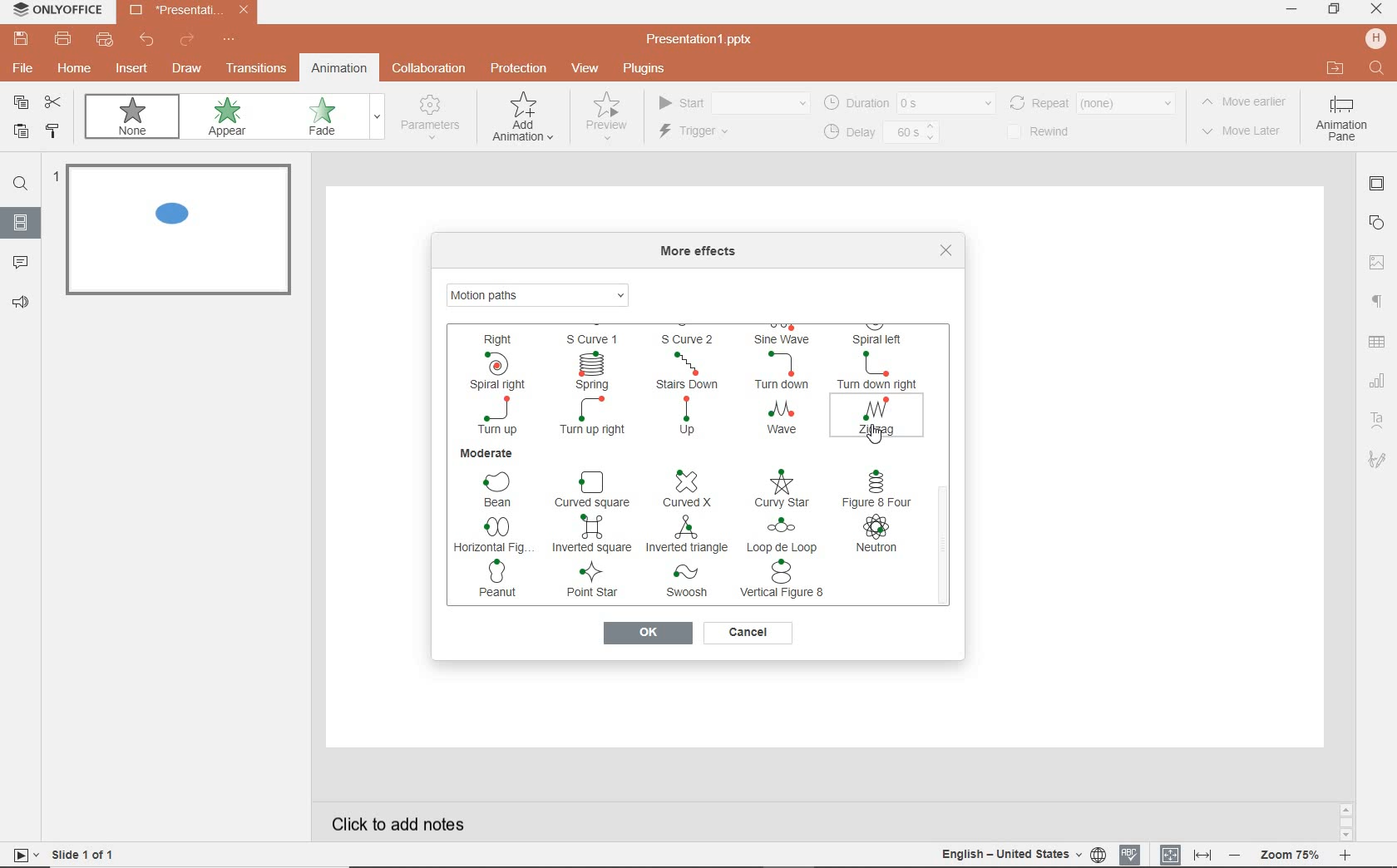 This screenshot has height=868, width=1397. Describe the element at coordinates (693, 372) in the screenshot. I see `stairs down` at that location.